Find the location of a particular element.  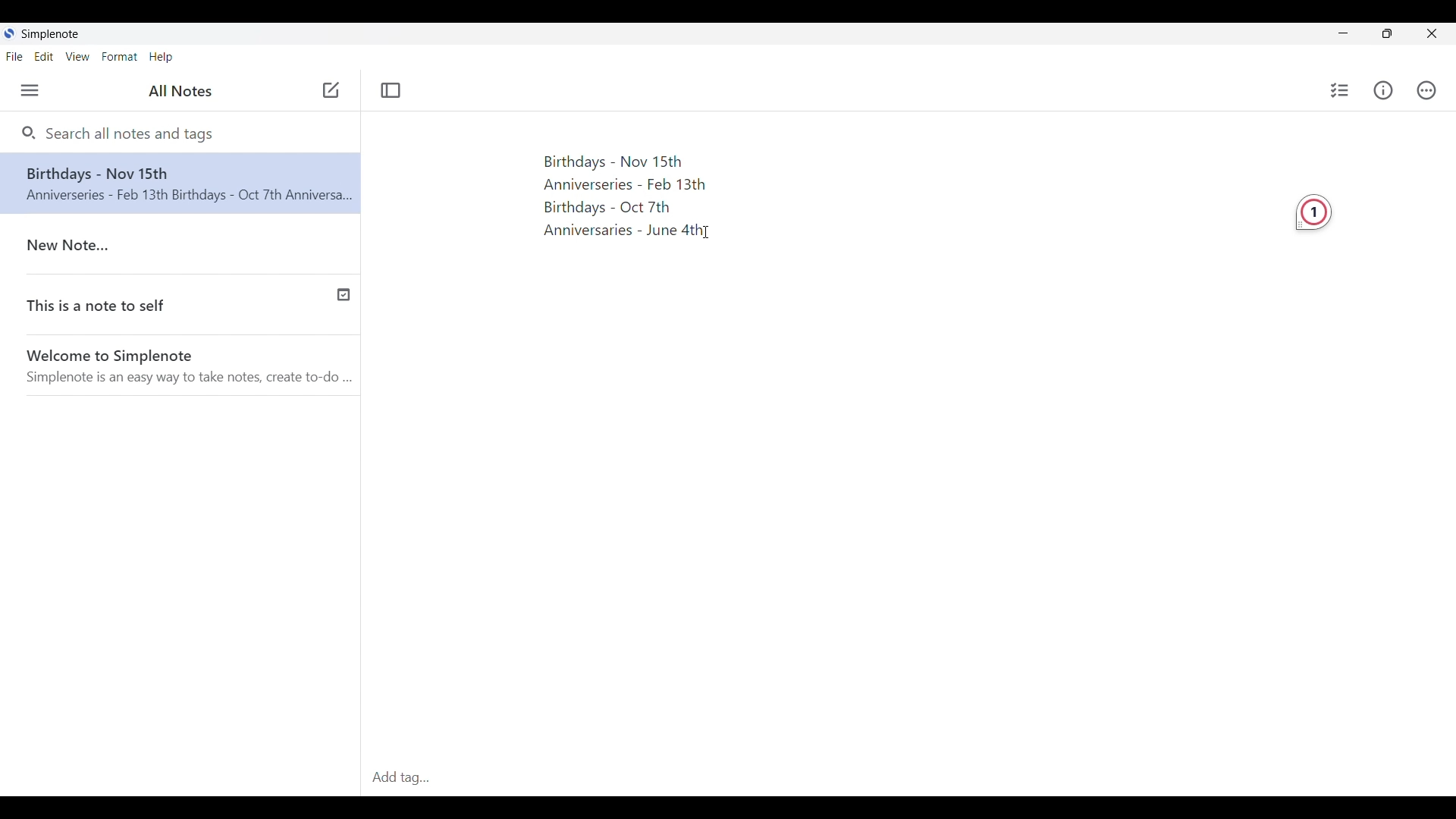

Add tag(Click to type in tag) is located at coordinates (908, 779).